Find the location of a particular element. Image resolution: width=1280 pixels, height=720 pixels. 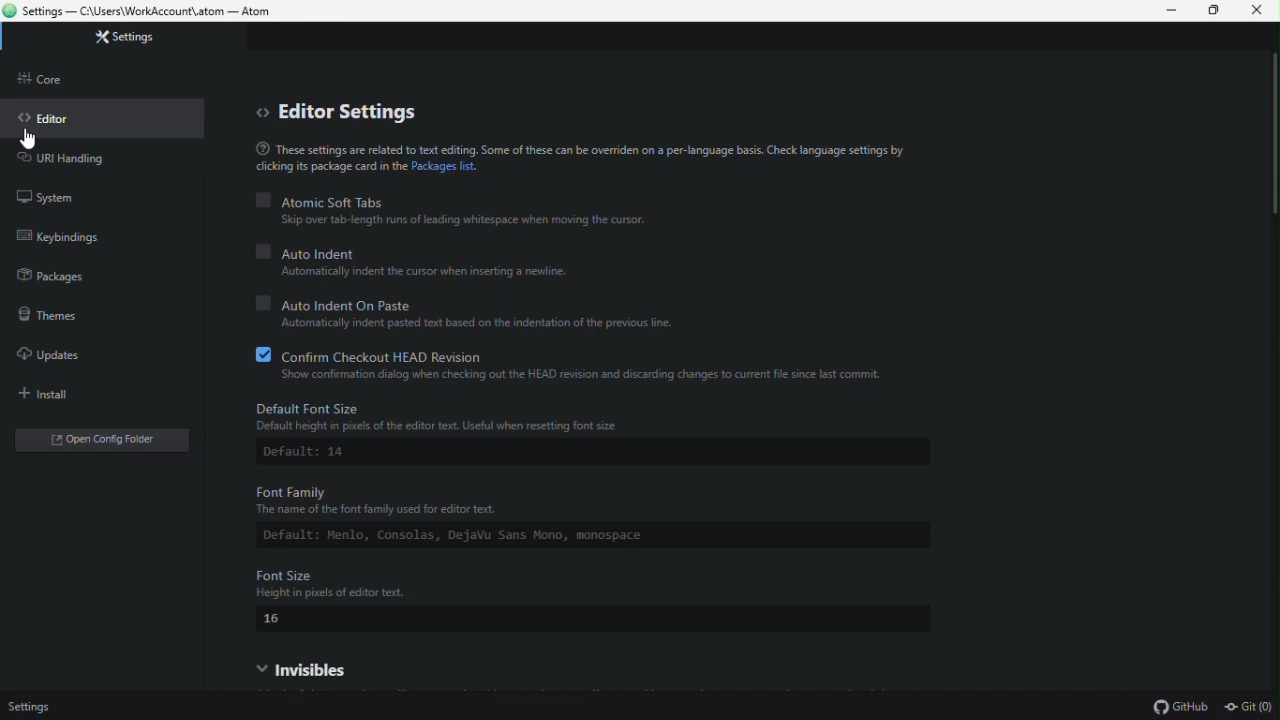

Settings is located at coordinates (135, 39).